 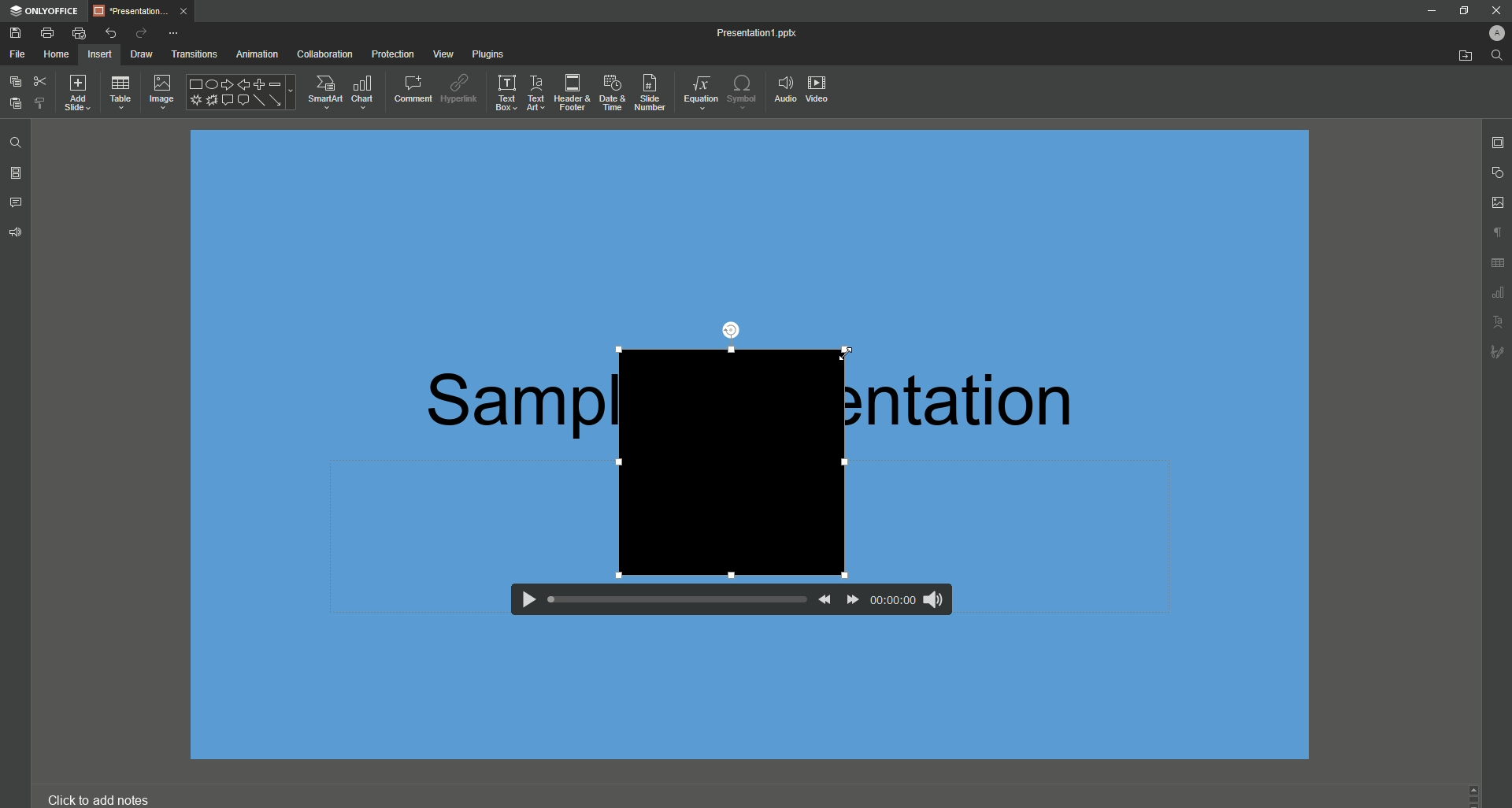 What do you see at coordinates (503, 92) in the screenshot?
I see `Text Box` at bounding box center [503, 92].